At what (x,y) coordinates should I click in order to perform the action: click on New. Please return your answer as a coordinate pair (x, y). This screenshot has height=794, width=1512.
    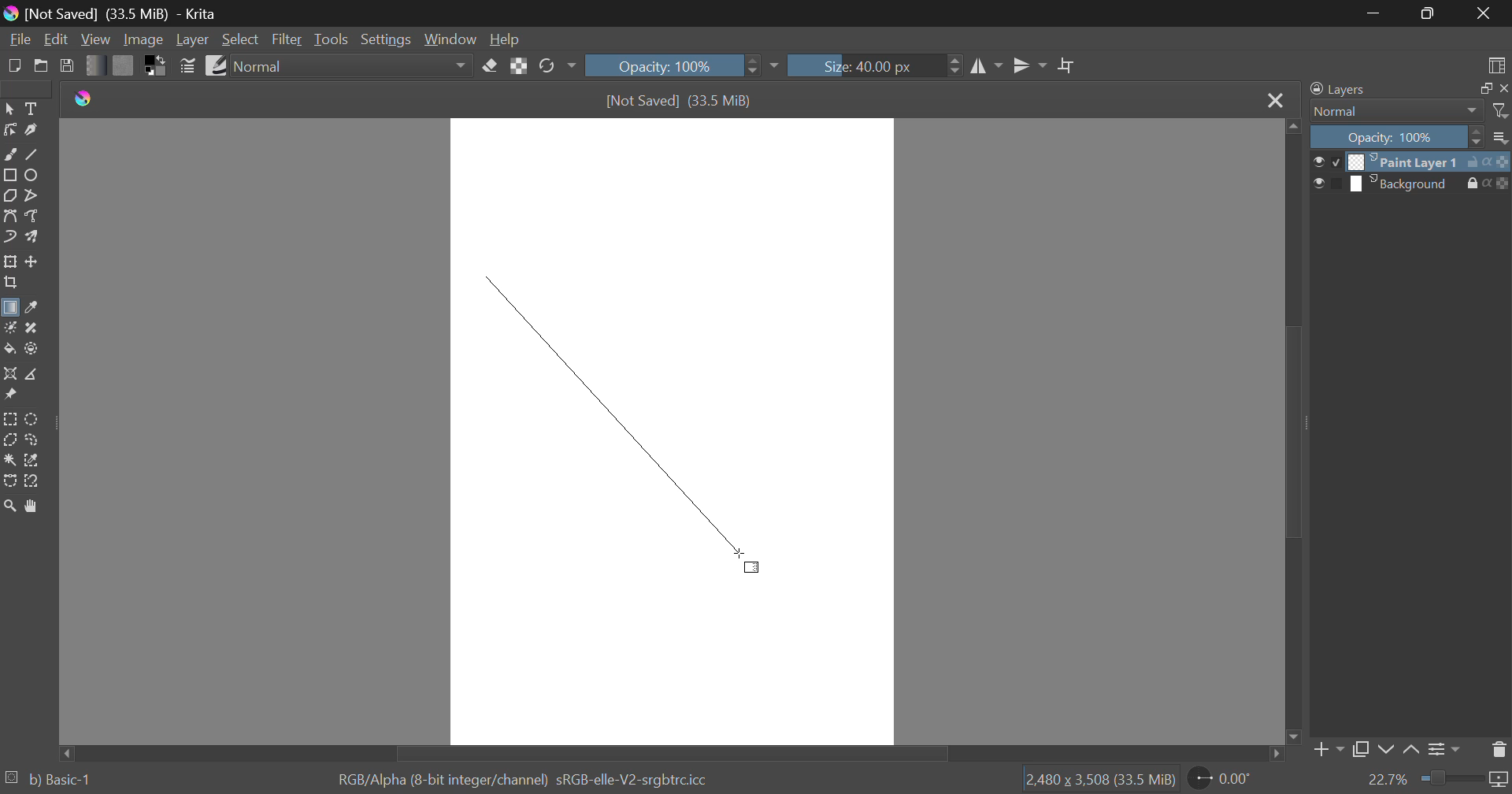
    Looking at the image, I should click on (13, 64).